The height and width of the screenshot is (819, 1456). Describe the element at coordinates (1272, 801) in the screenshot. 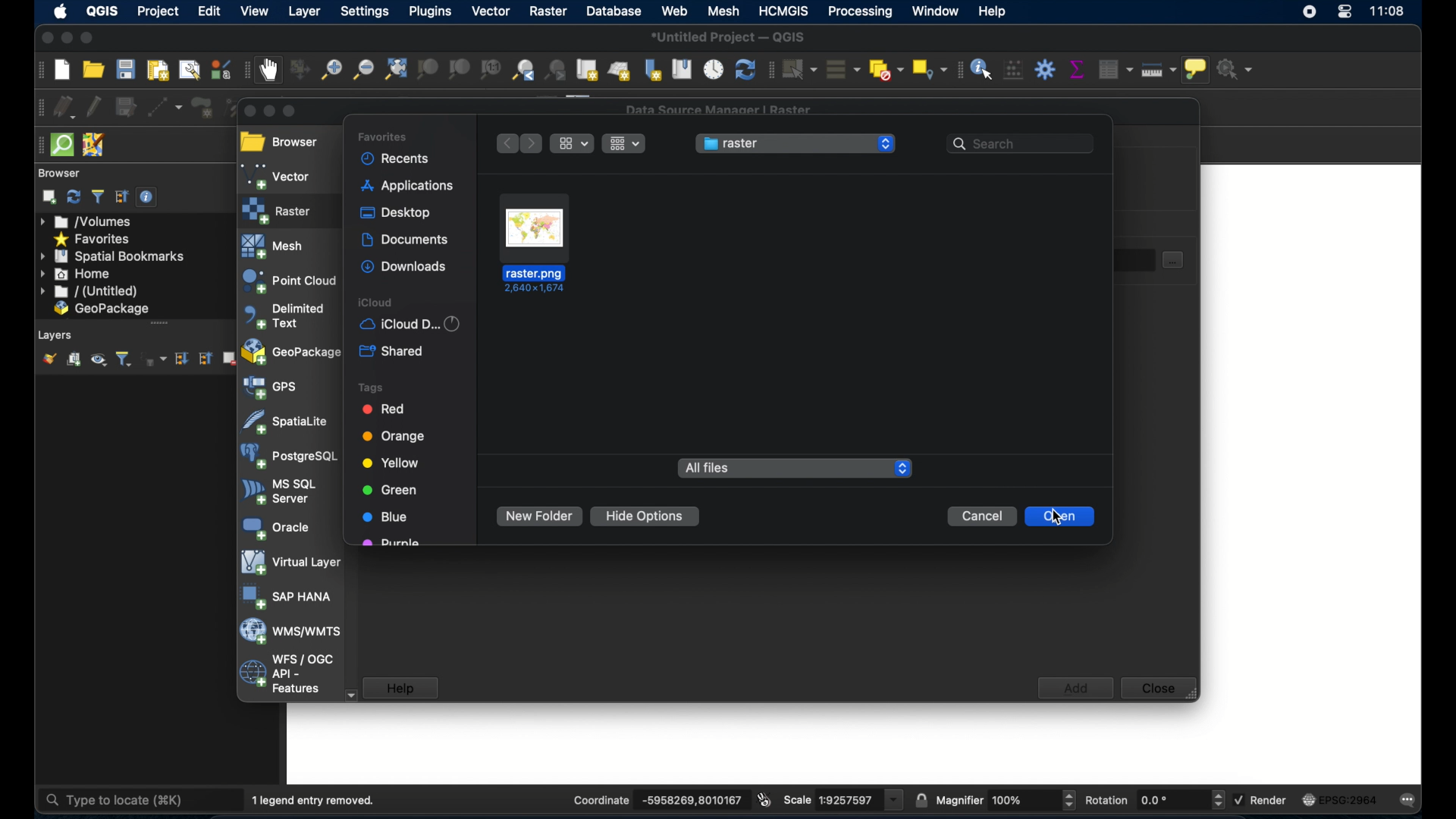

I see `render` at that location.